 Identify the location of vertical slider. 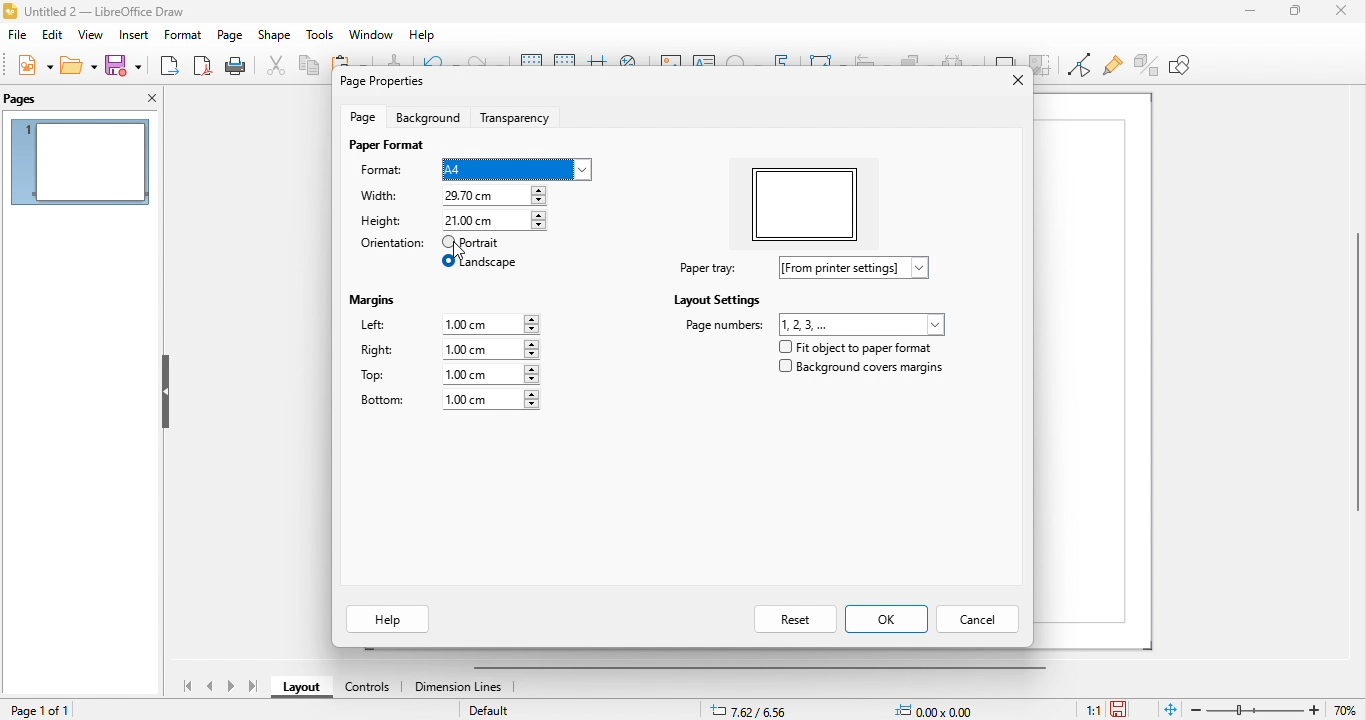
(1350, 378).